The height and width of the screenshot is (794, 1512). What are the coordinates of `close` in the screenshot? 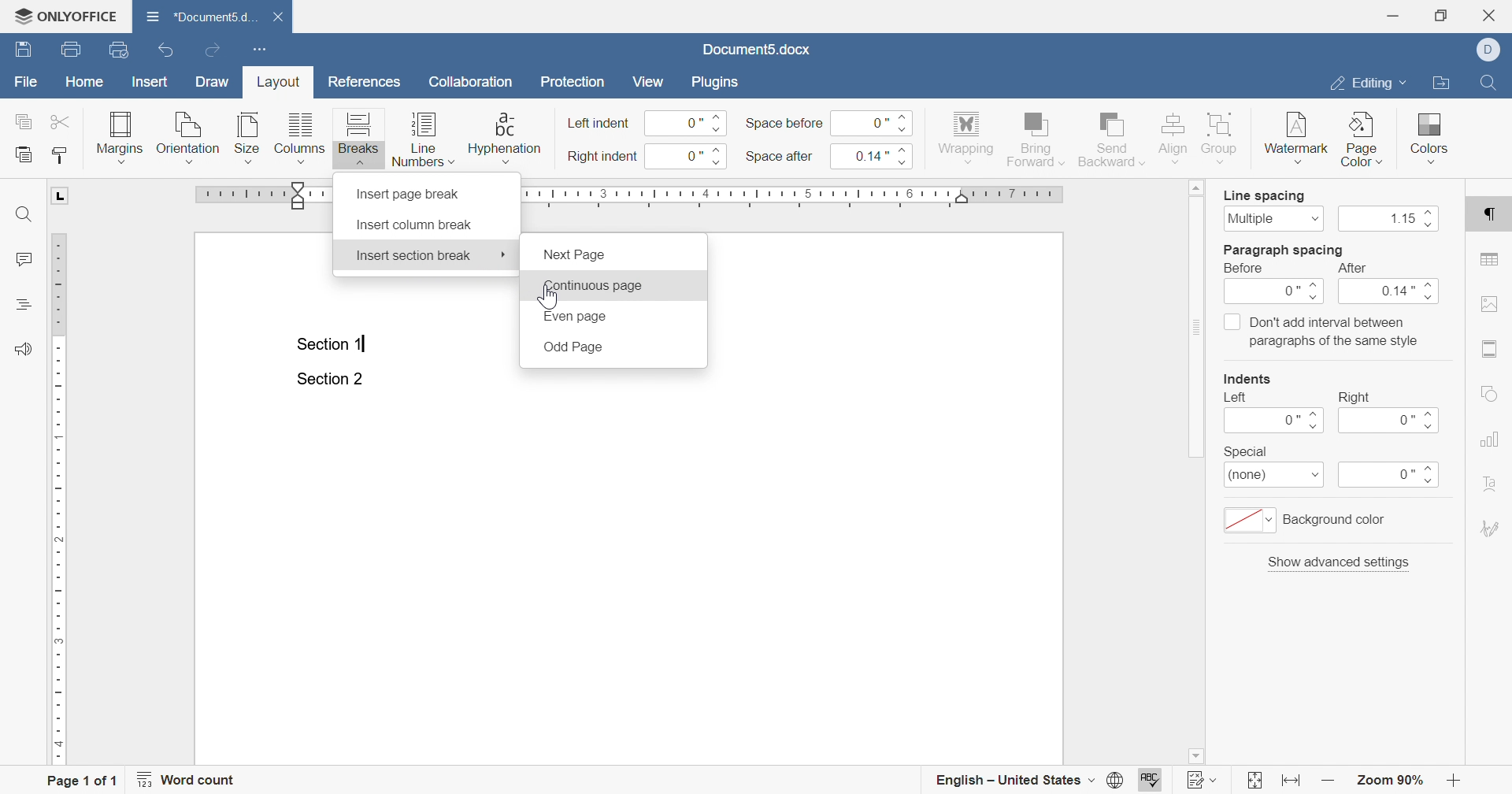 It's located at (1492, 15).